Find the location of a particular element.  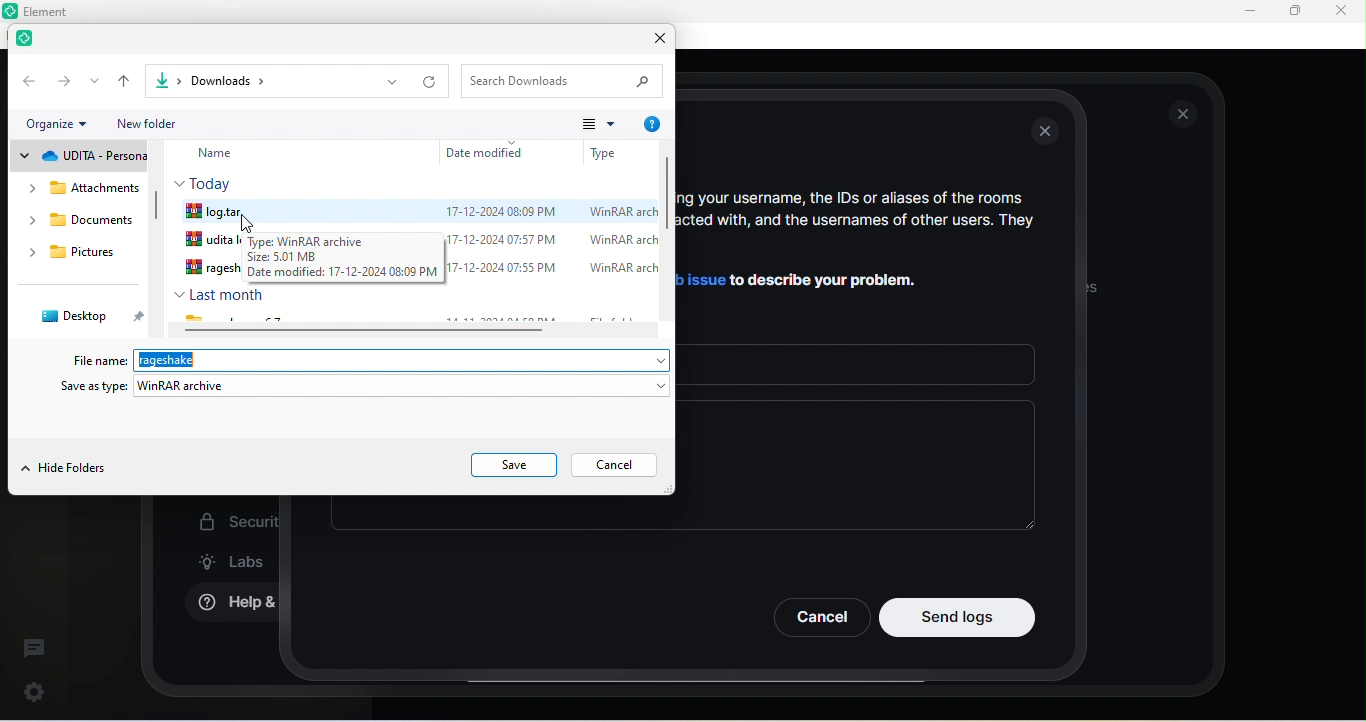

close is located at coordinates (1340, 10).